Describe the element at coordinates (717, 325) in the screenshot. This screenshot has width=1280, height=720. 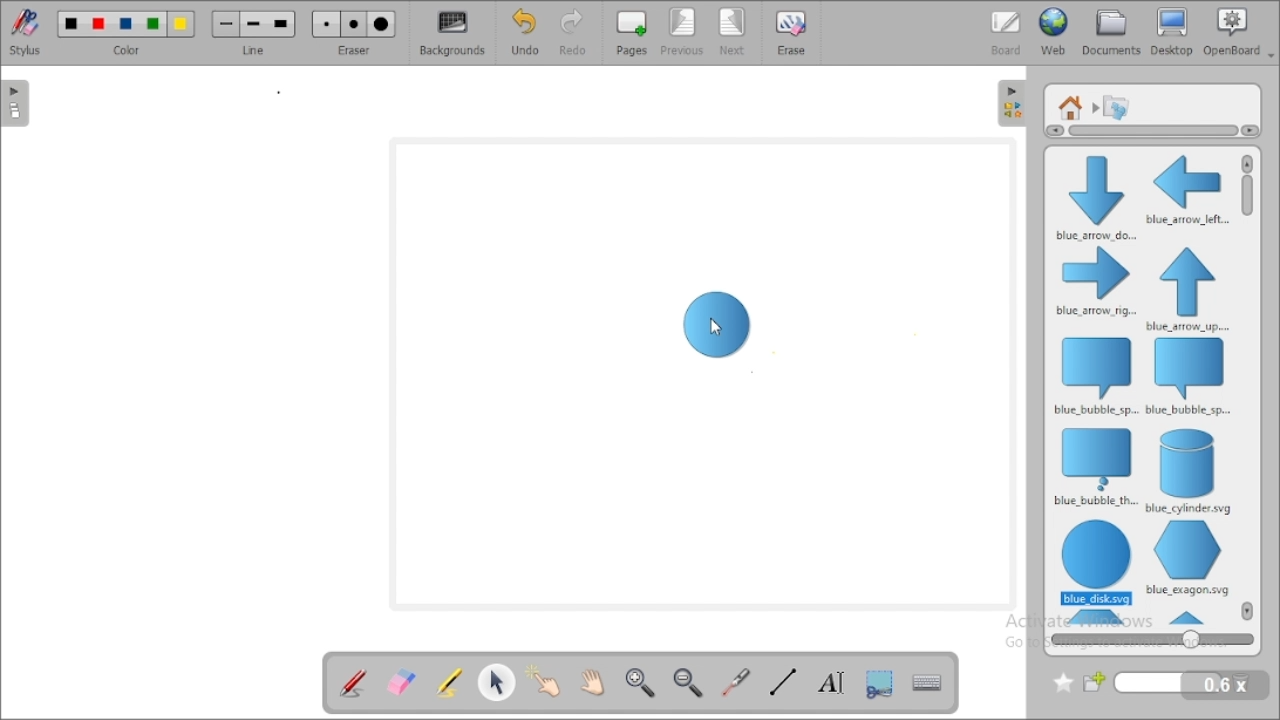
I see `drag to workspace` at that location.